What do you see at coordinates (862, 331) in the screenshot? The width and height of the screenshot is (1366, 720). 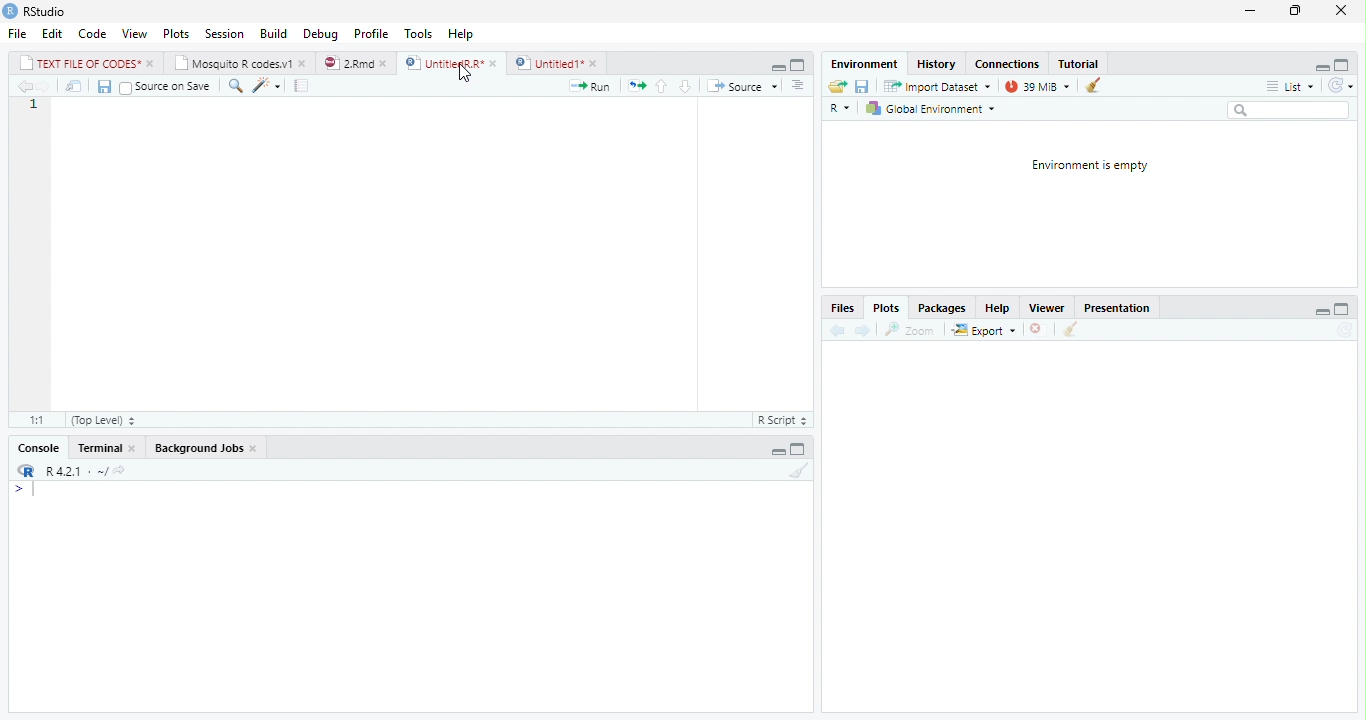 I see `Next` at bounding box center [862, 331].